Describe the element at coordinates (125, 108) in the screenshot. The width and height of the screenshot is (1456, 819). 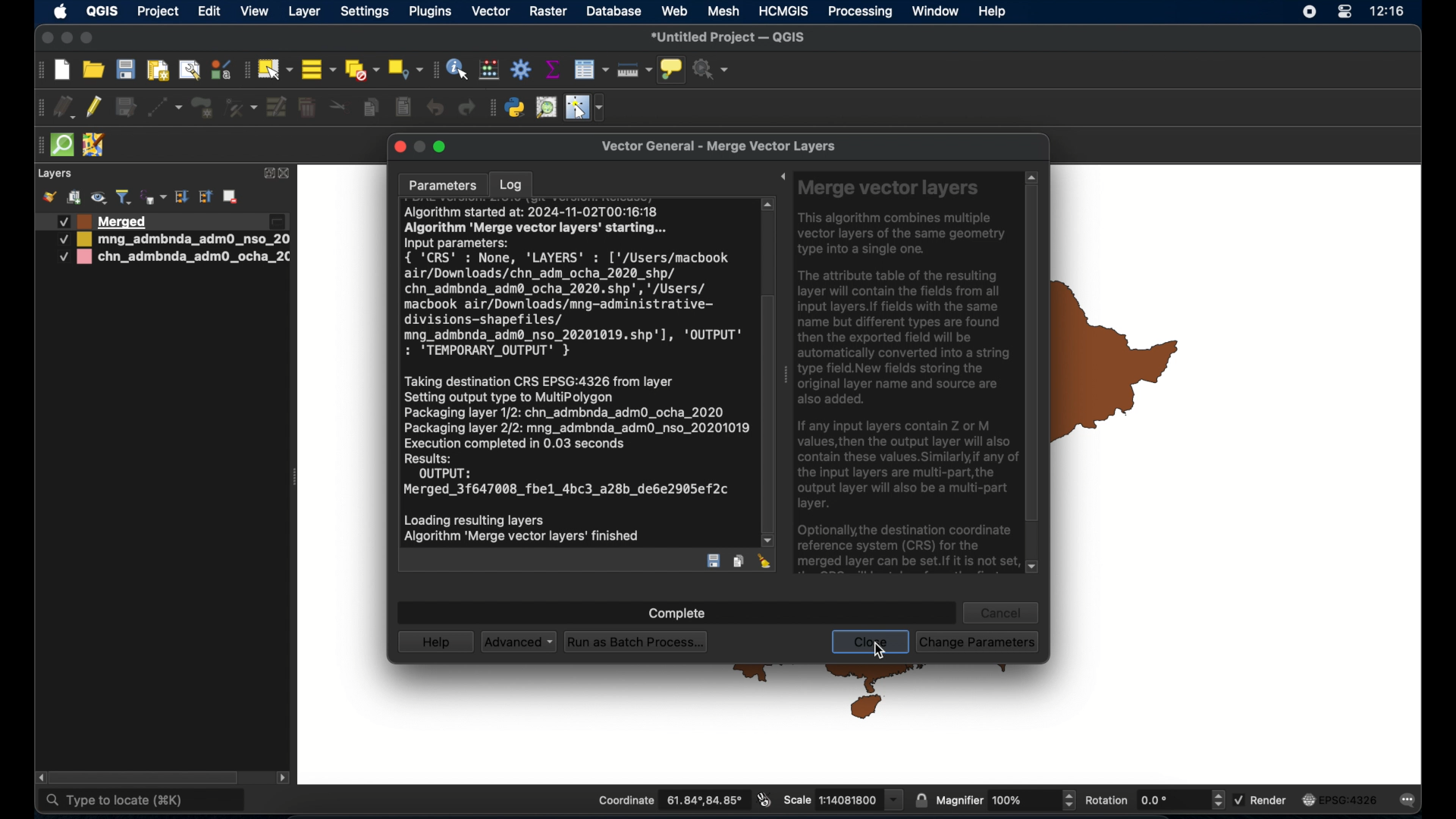
I see `save edits` at that location.